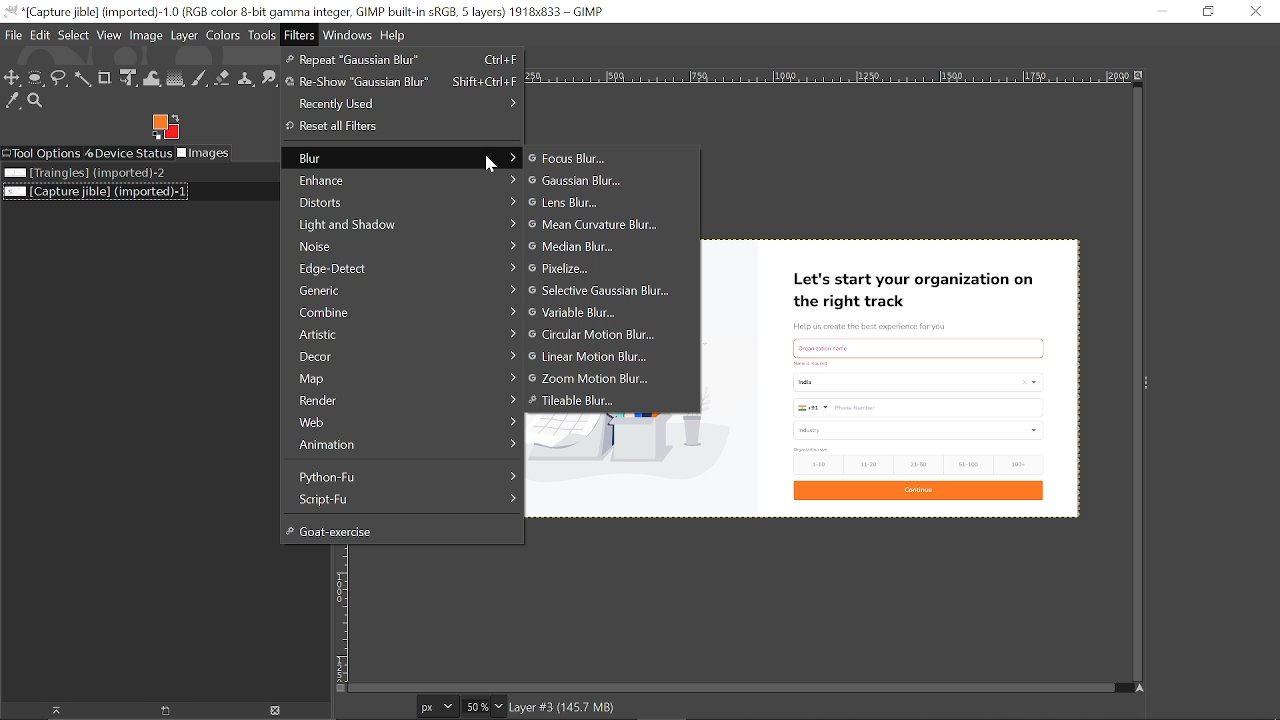 The height and width of the screenshot is (720, 1280). I want to click on Side bar menu, so click(1149, 382).